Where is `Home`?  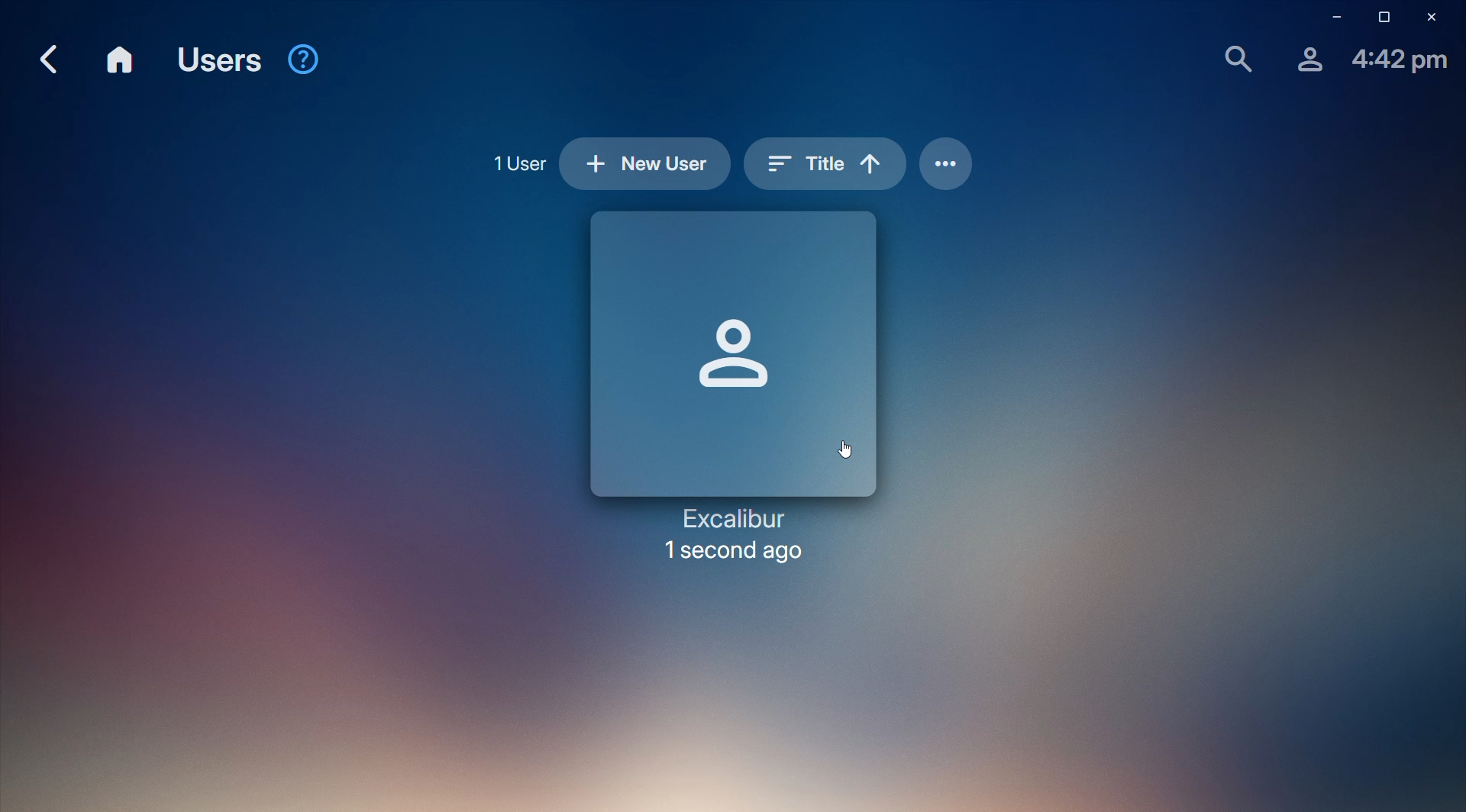
Home is located at coordinates (123, 62).